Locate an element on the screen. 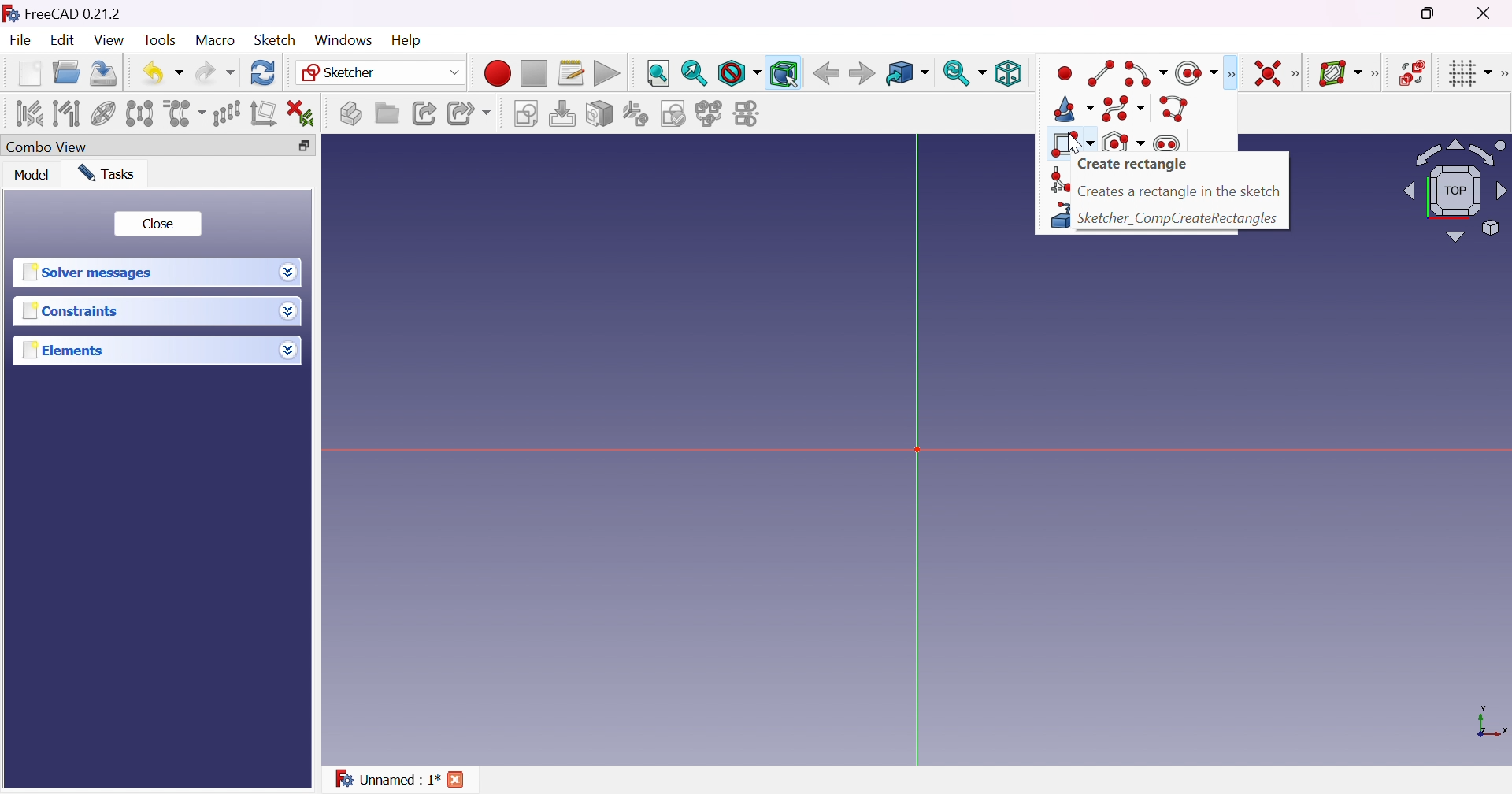  Undo is located at coordinates (163, 76).